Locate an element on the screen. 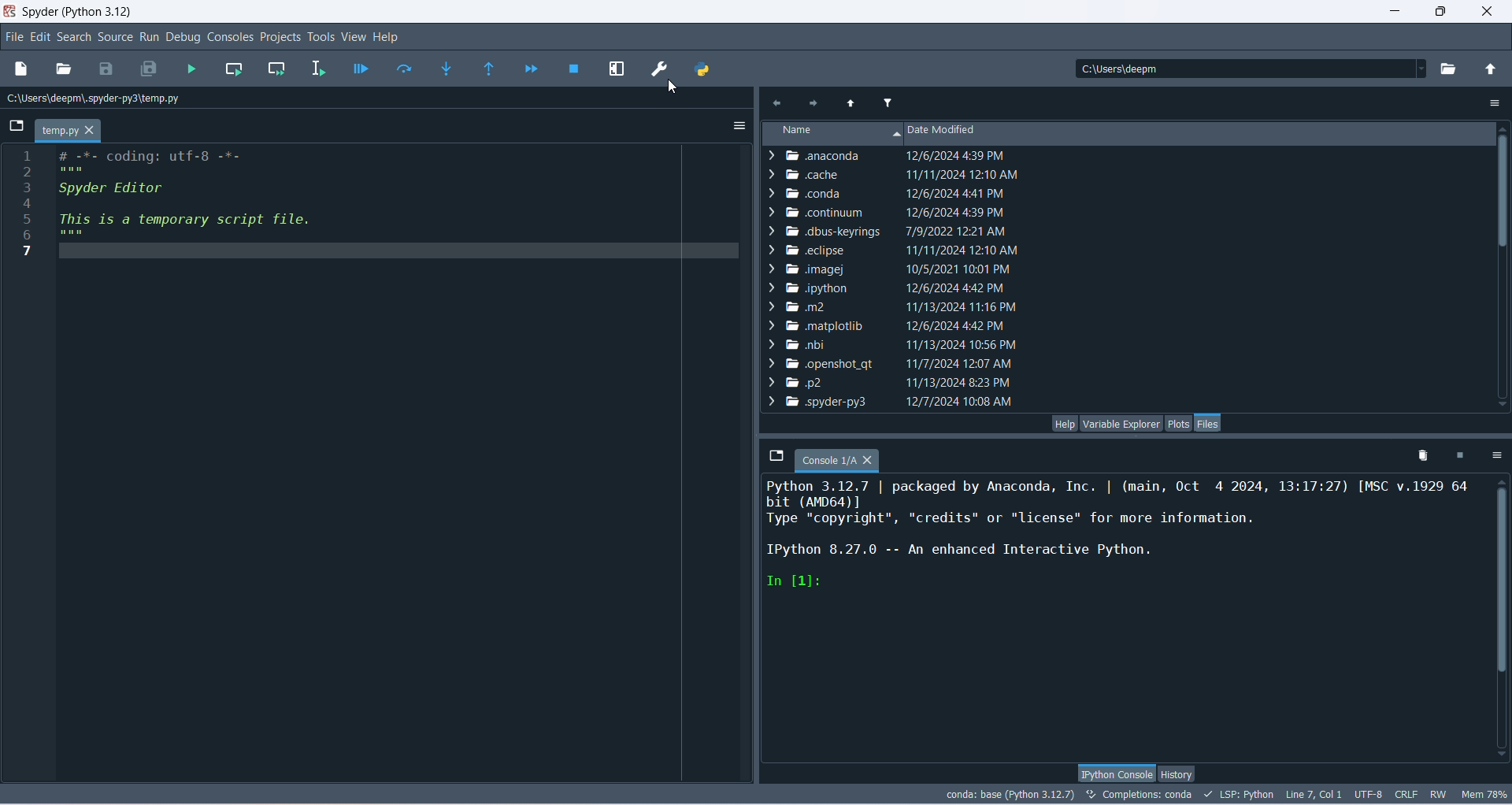  consoles is located at coordinates (231, 36).